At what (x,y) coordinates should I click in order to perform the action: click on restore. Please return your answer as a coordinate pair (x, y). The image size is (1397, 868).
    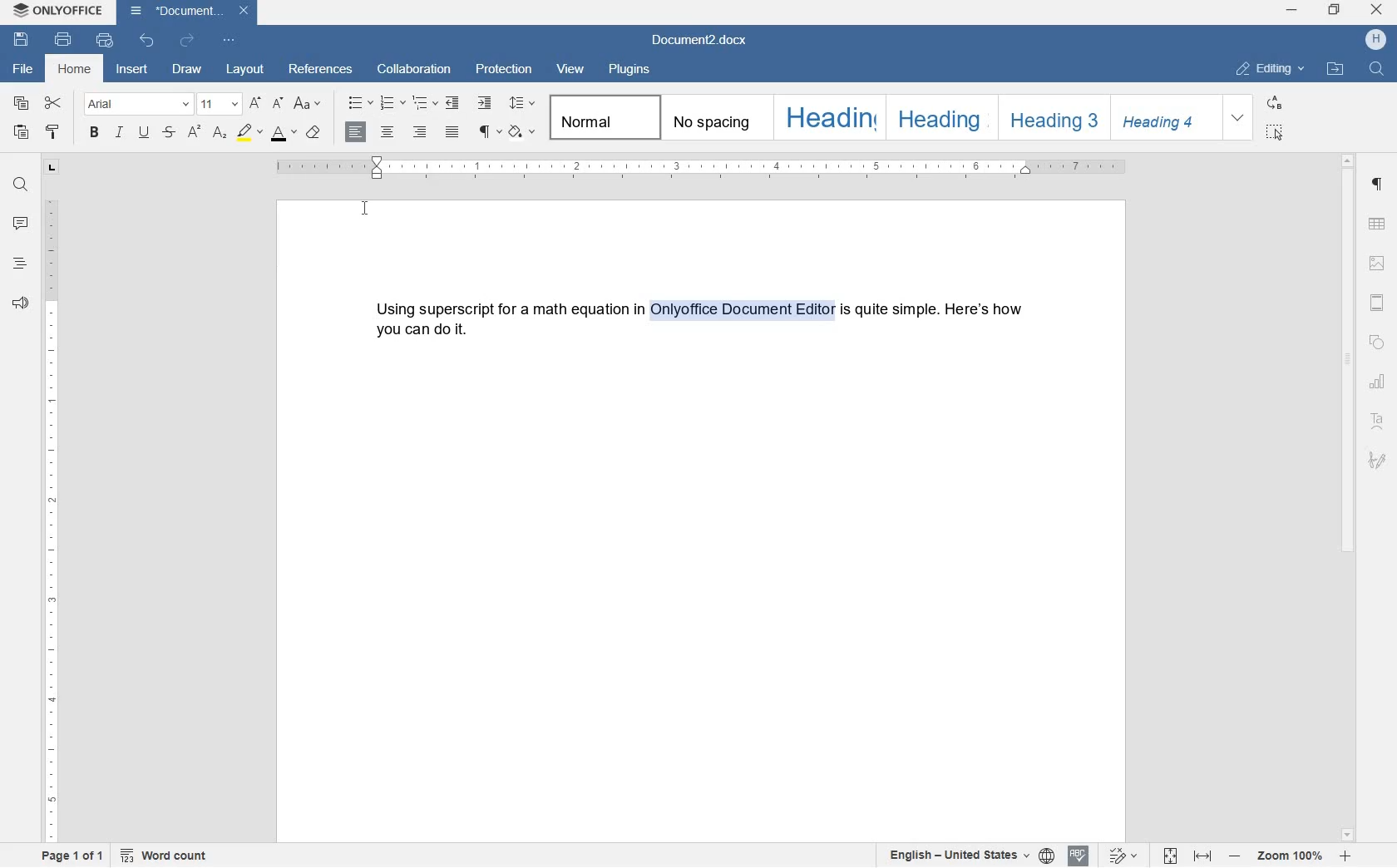
    Looking at the image, I should click on (1335, 9).